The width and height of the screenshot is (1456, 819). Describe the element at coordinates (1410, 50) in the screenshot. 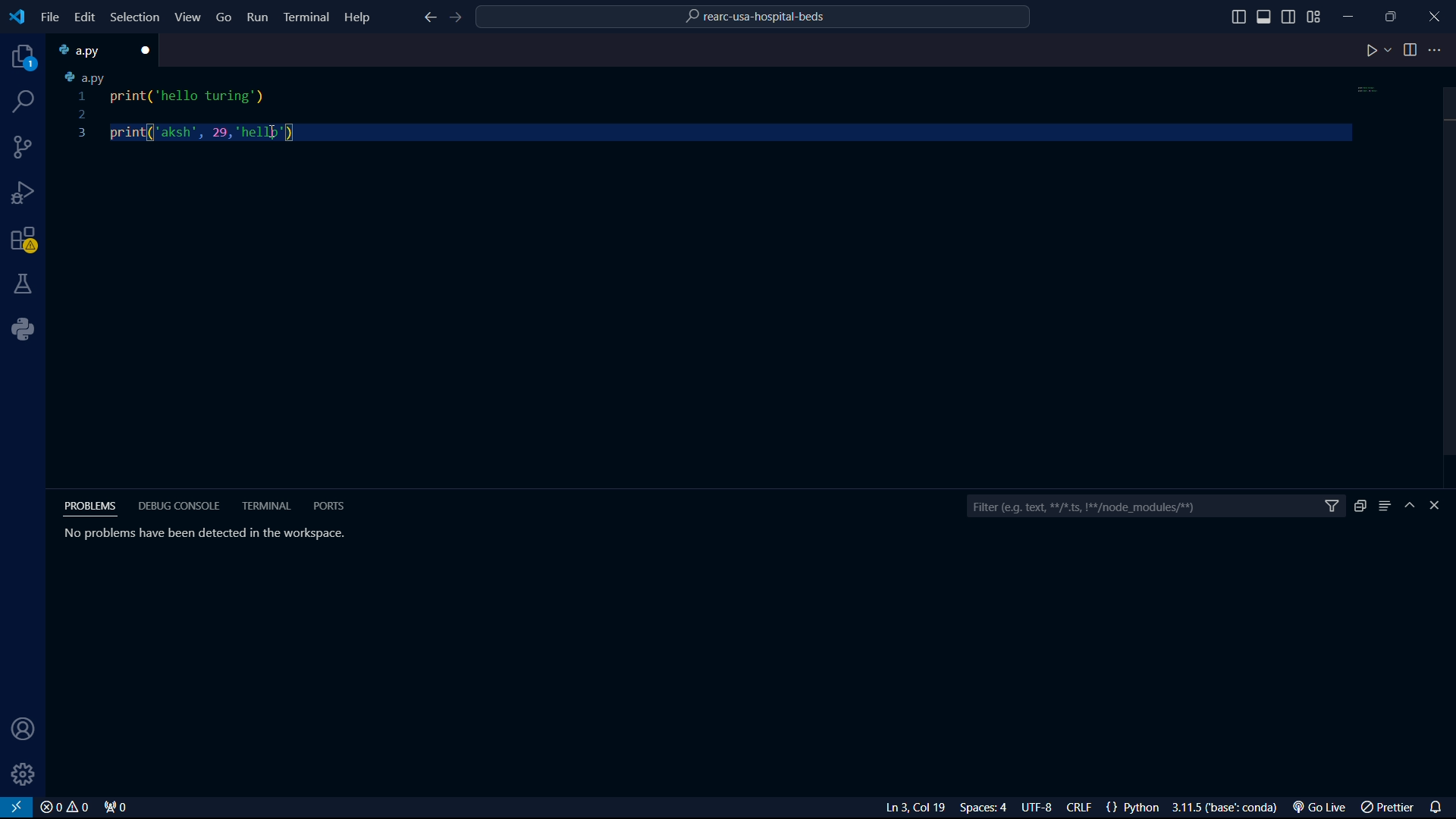

I see `toggle` at that location.